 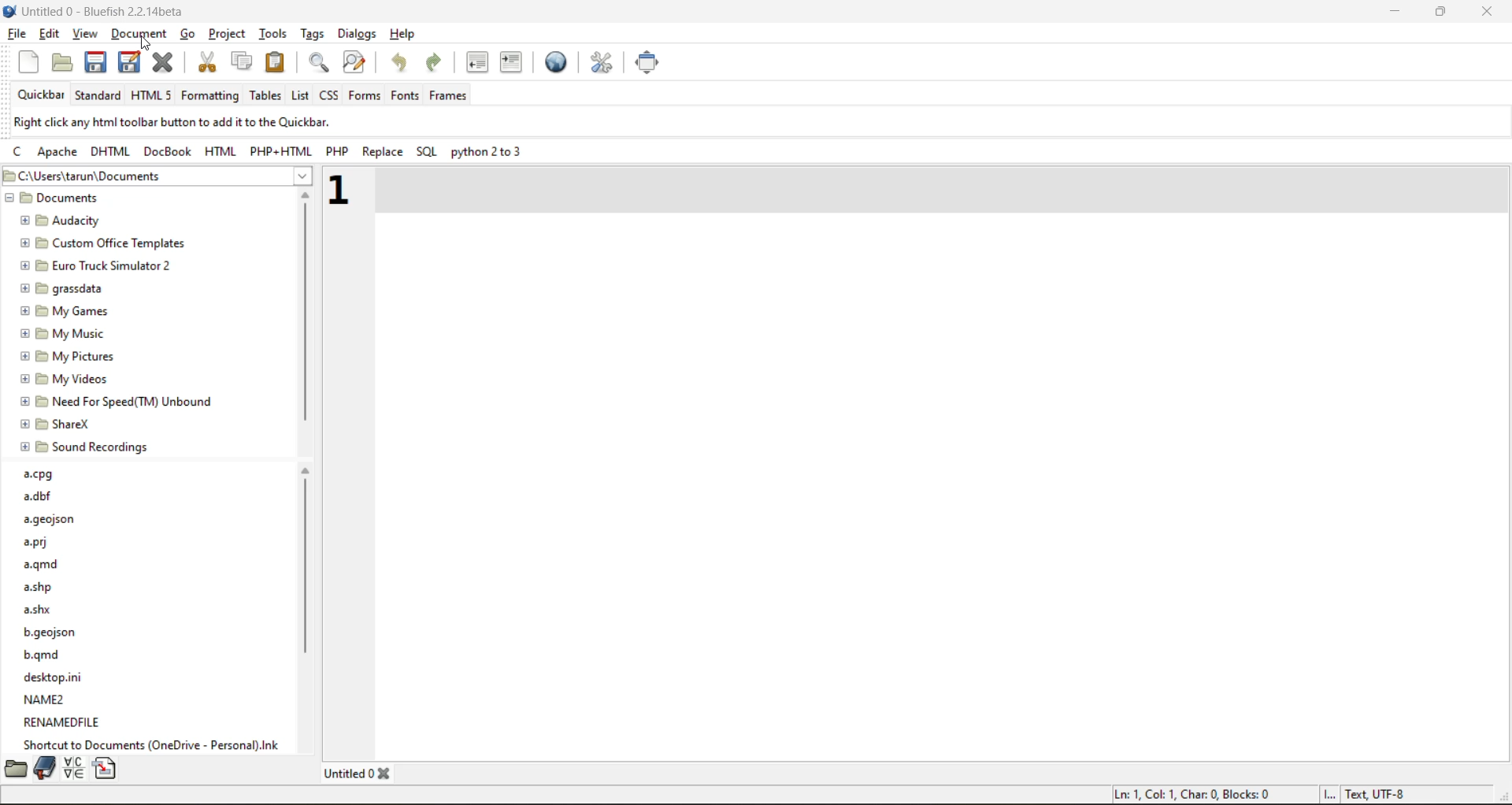 What do you see at coordinates (449, 95) in the screenshot?
I see `frames` at bounding box center [449, 95].